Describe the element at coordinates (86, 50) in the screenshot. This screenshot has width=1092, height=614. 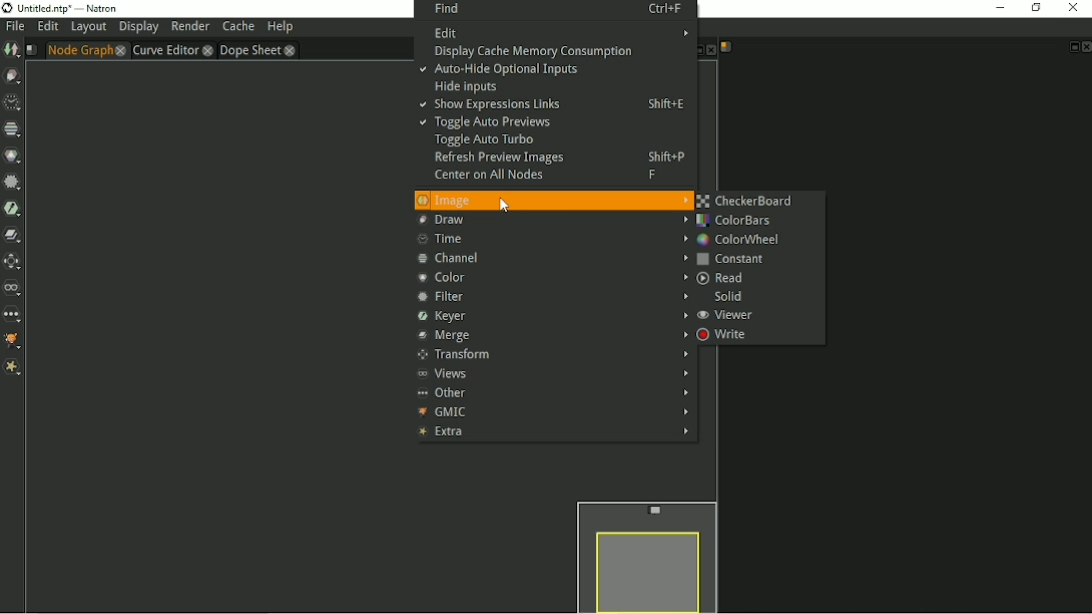
I see `Node graph` at that location.